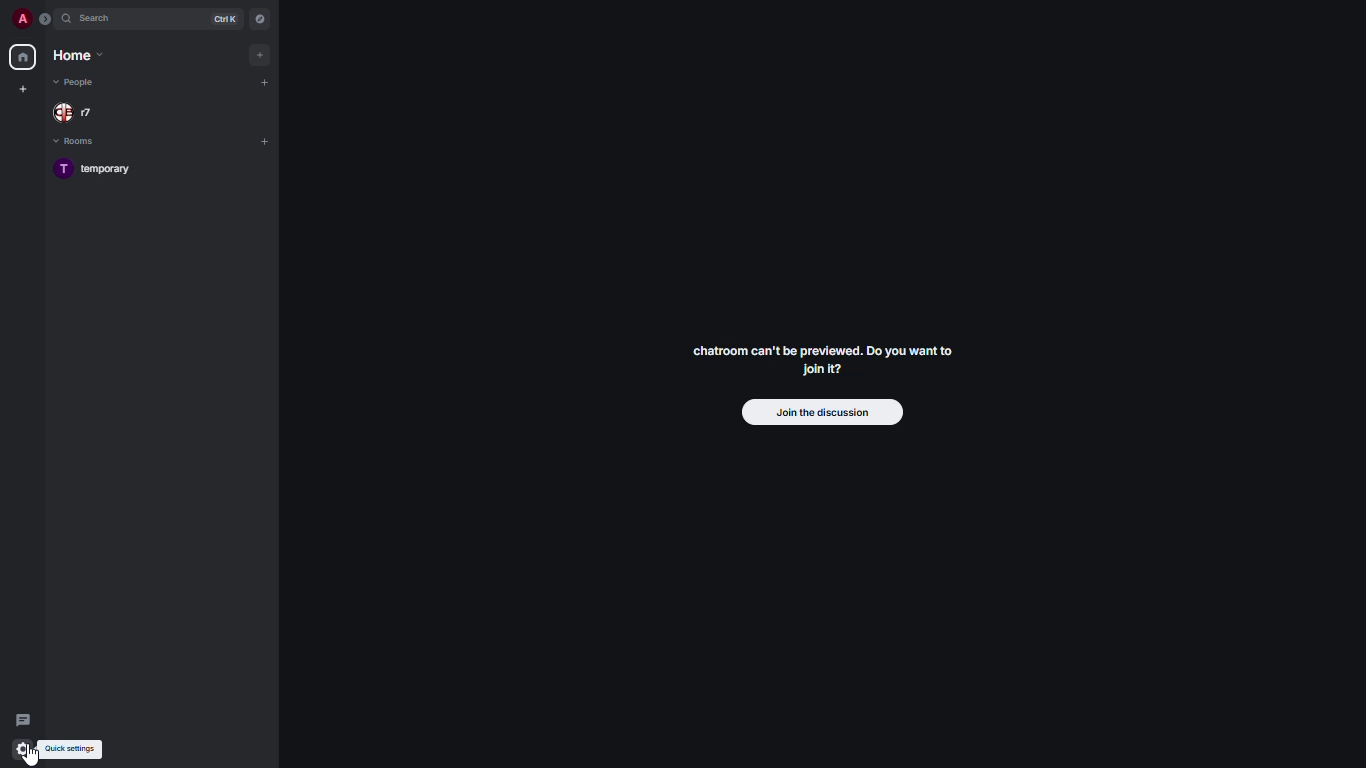 The image size is (1366, 768). What do you see at coordinates (24, 88) in the screenshot?
I see `create new space` at bounding box center [24, 88].